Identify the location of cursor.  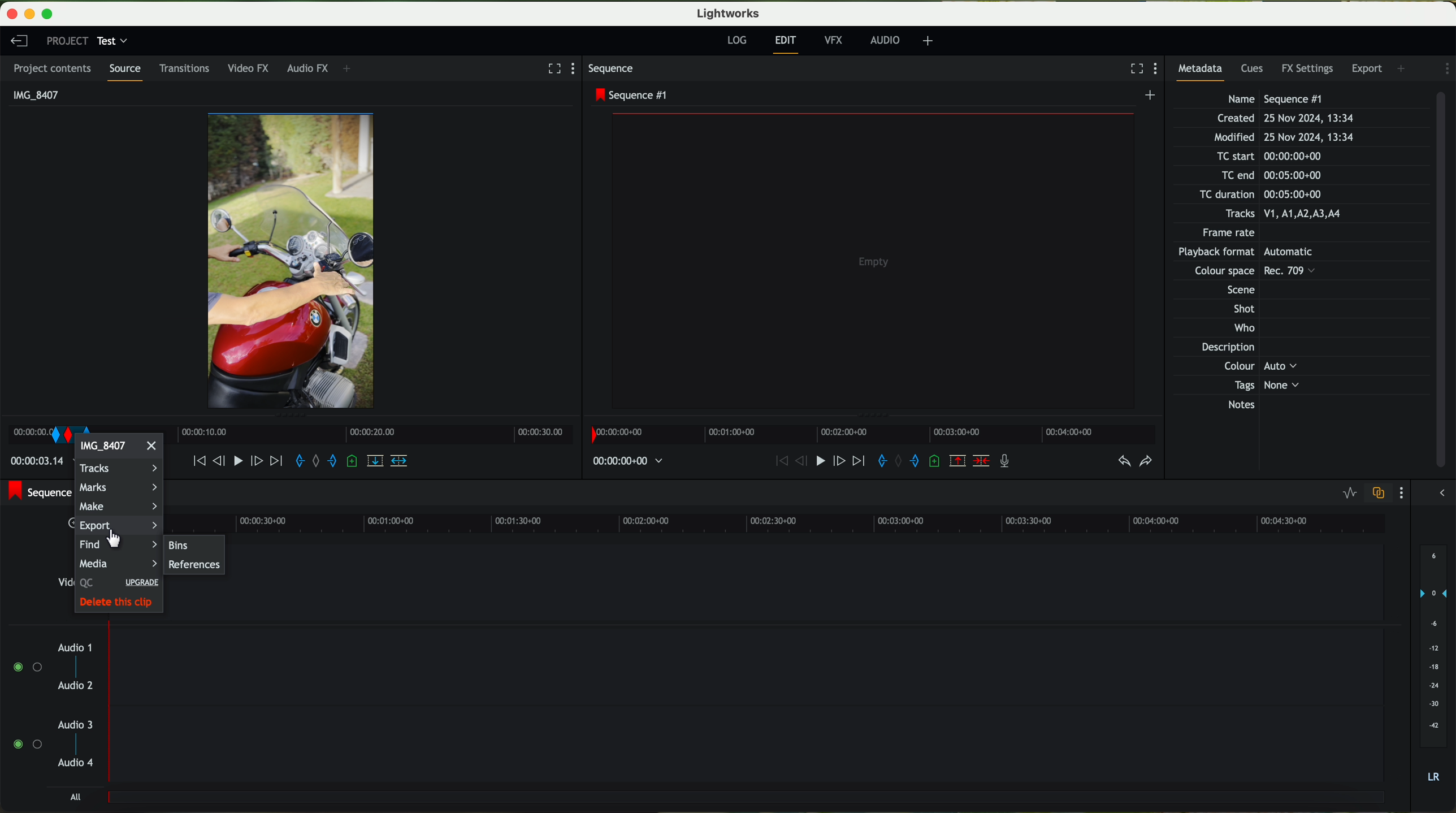
(115, 539).